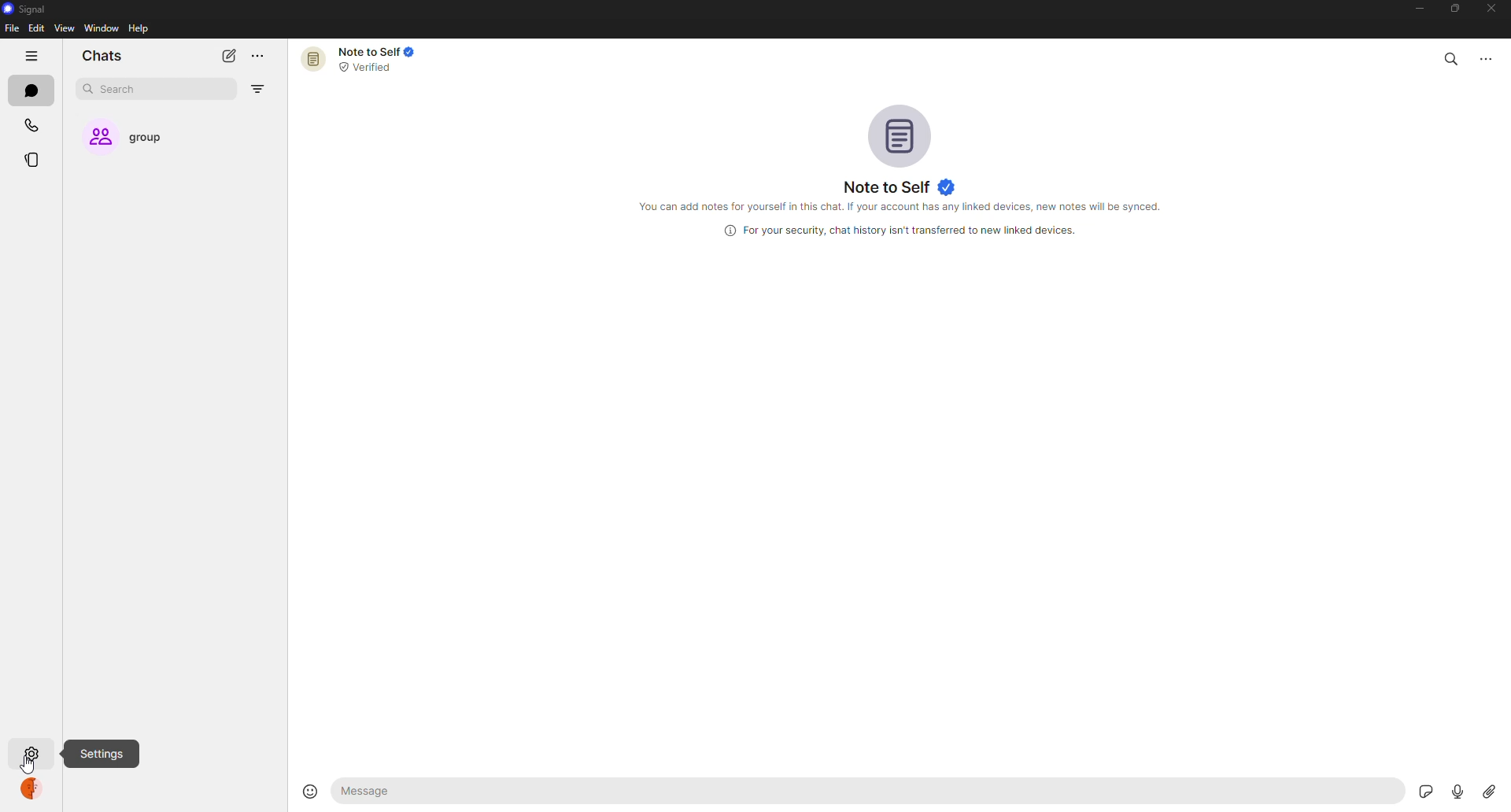  What do you see at coordinates (257, 90) in the screenshot?
I see `filter` at bounding box center [257, 90].